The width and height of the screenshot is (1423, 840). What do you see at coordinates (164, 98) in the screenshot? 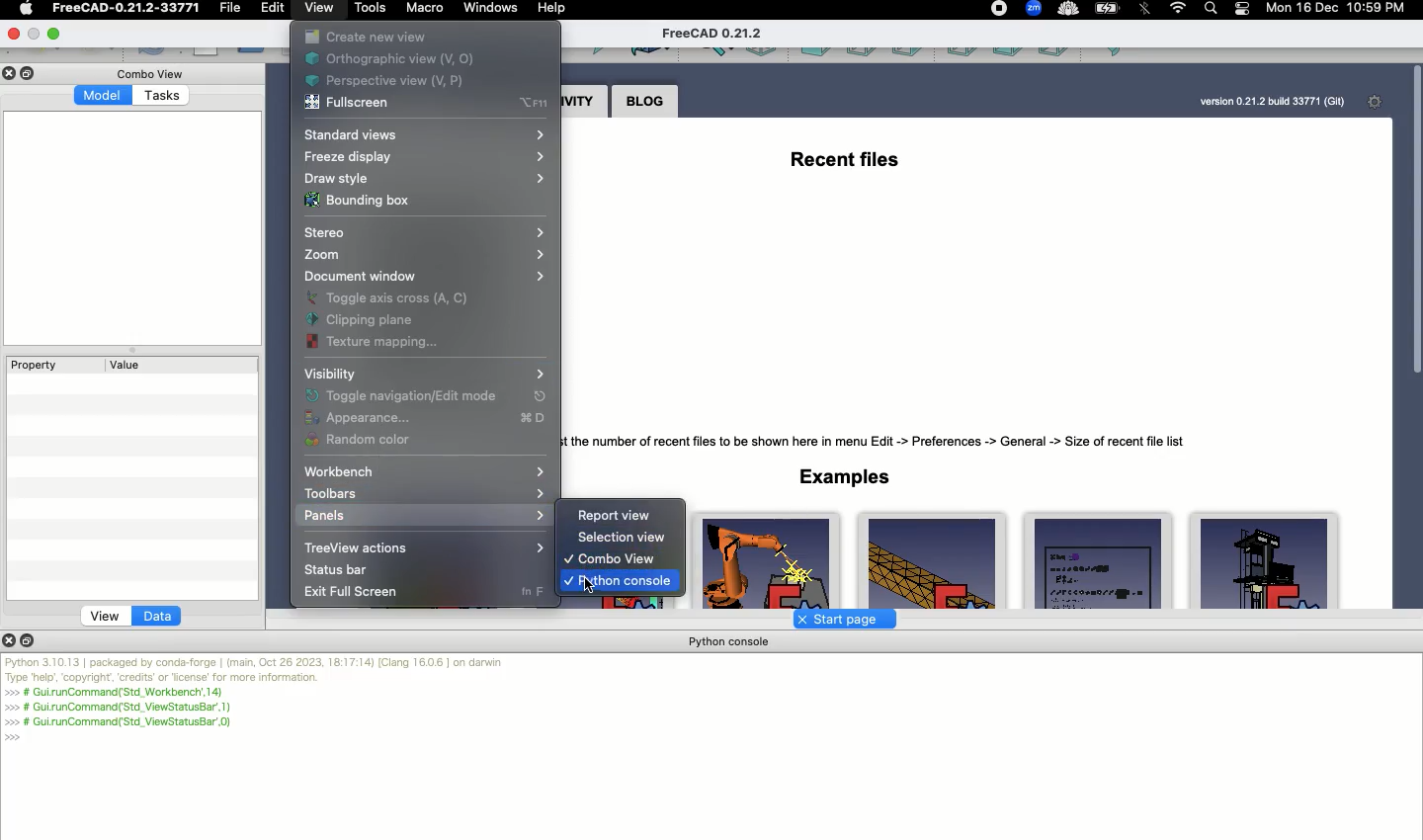
I see `Tasks` at bounding box center [164, 98].